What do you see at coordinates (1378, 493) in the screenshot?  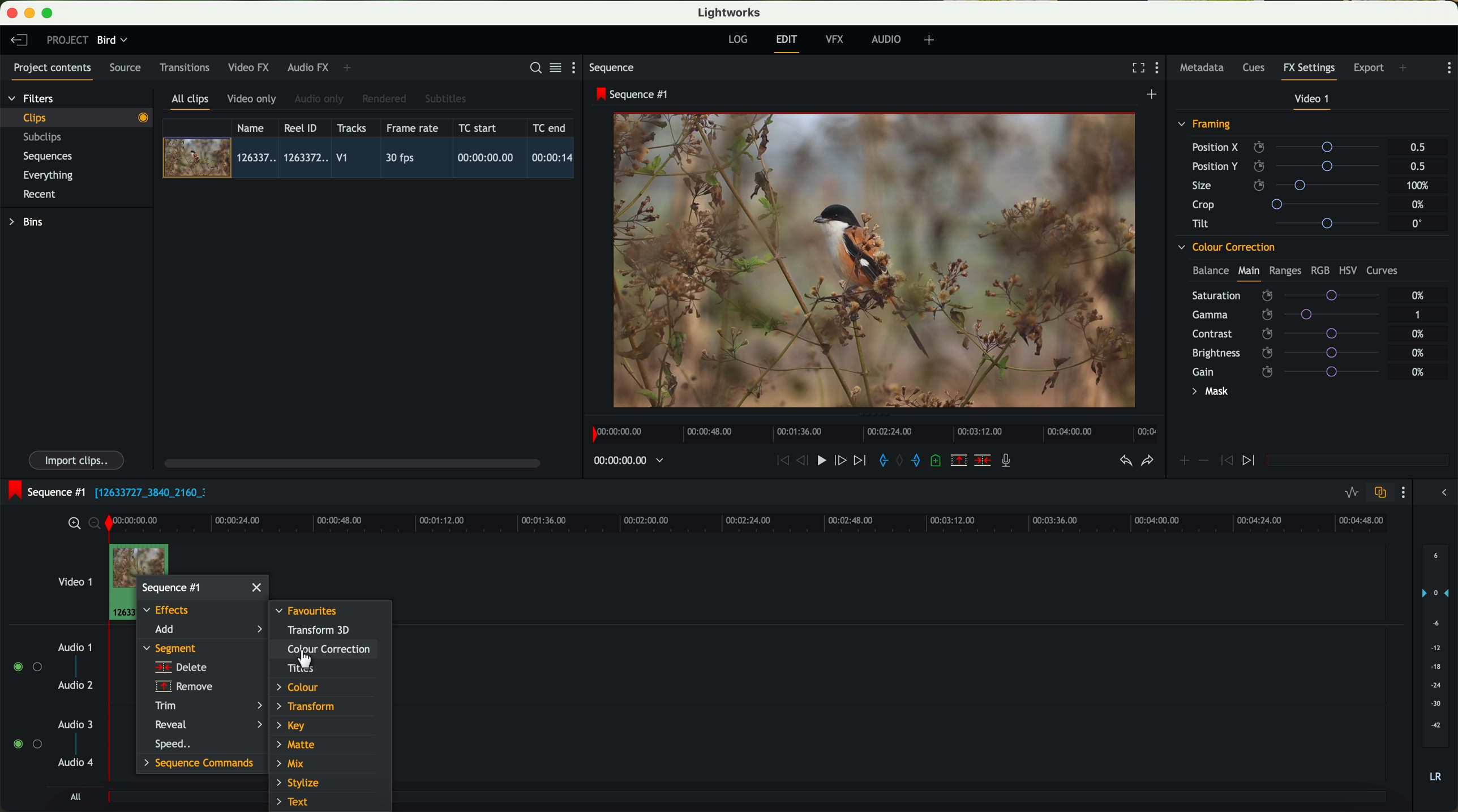 I see `toggle auto track sync` at bounding box center [1378, 493].